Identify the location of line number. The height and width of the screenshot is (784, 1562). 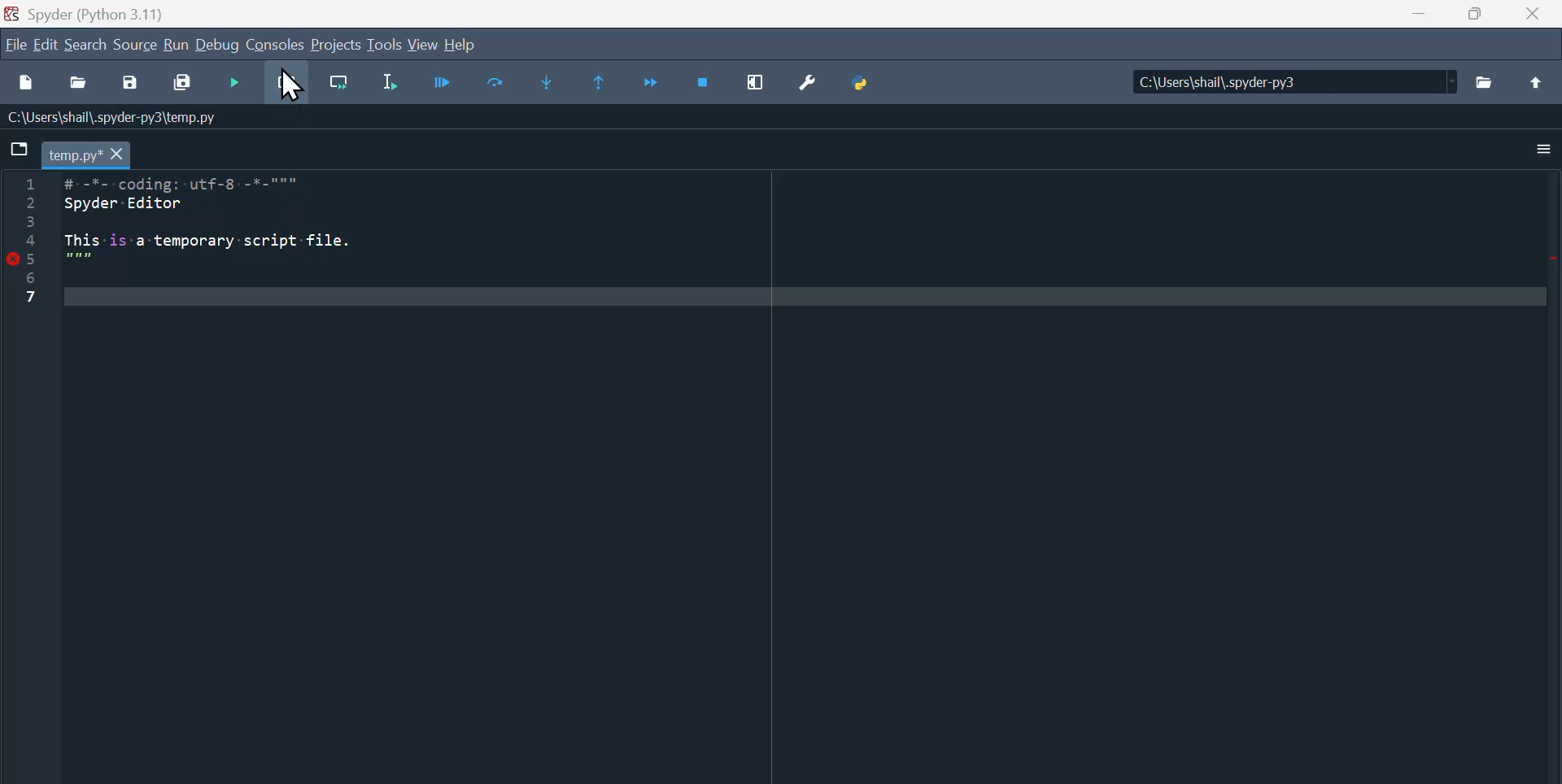
(33, 239).